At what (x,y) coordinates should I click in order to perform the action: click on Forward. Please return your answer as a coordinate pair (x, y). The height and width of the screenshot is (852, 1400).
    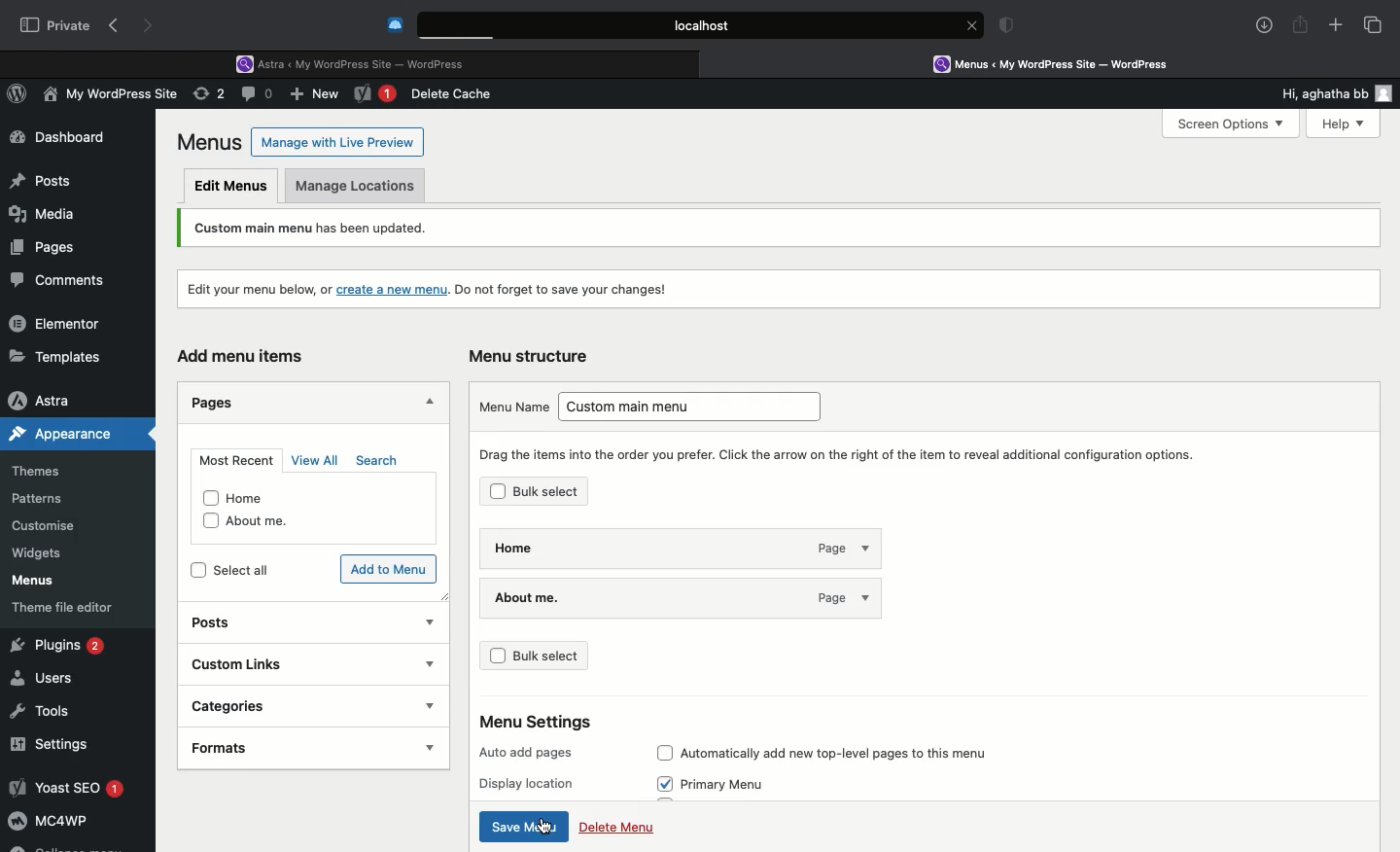
    Looking at the image, I should click on (151, 25).